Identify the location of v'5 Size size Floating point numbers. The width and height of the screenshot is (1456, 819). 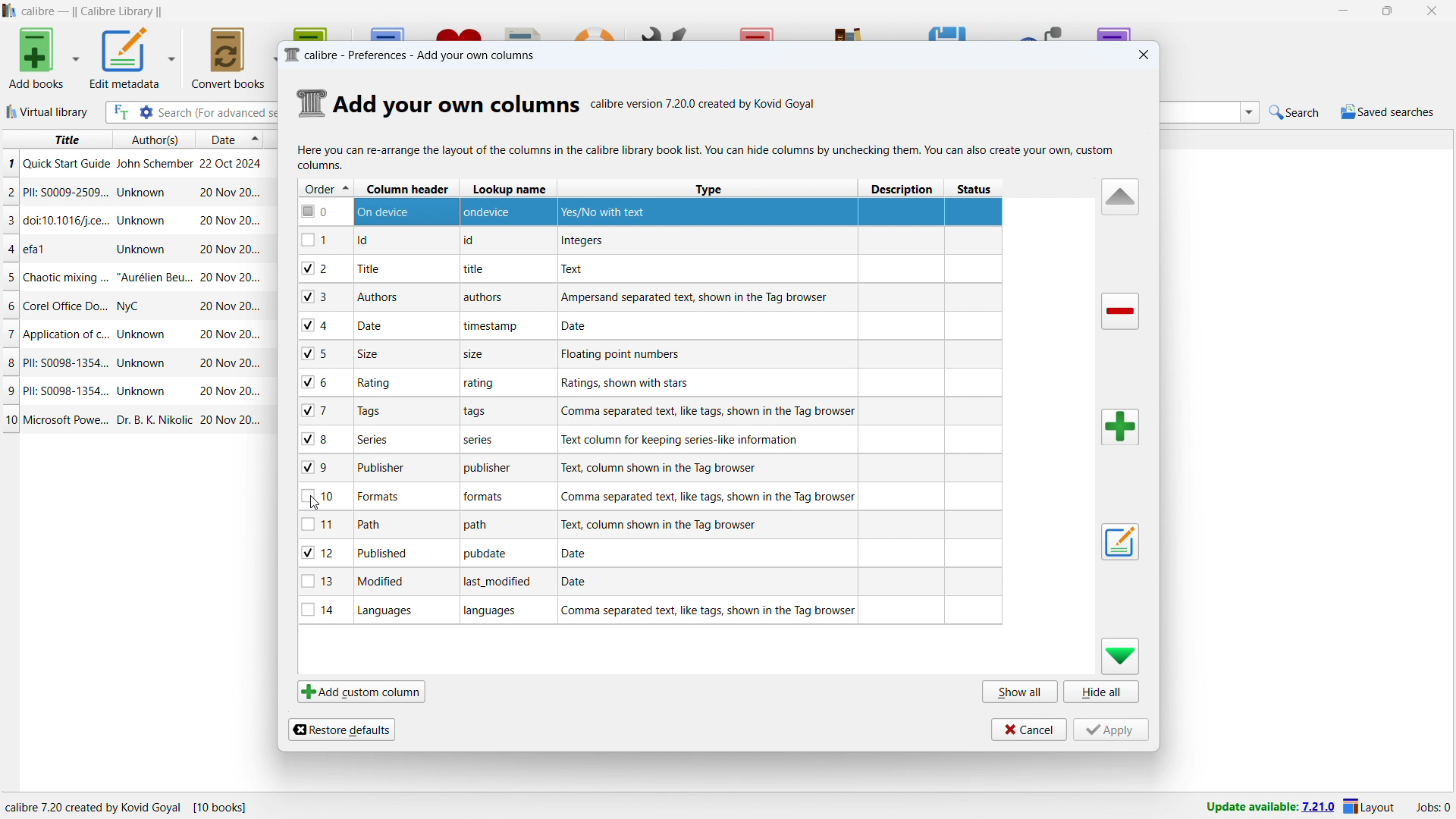
(647, 352).